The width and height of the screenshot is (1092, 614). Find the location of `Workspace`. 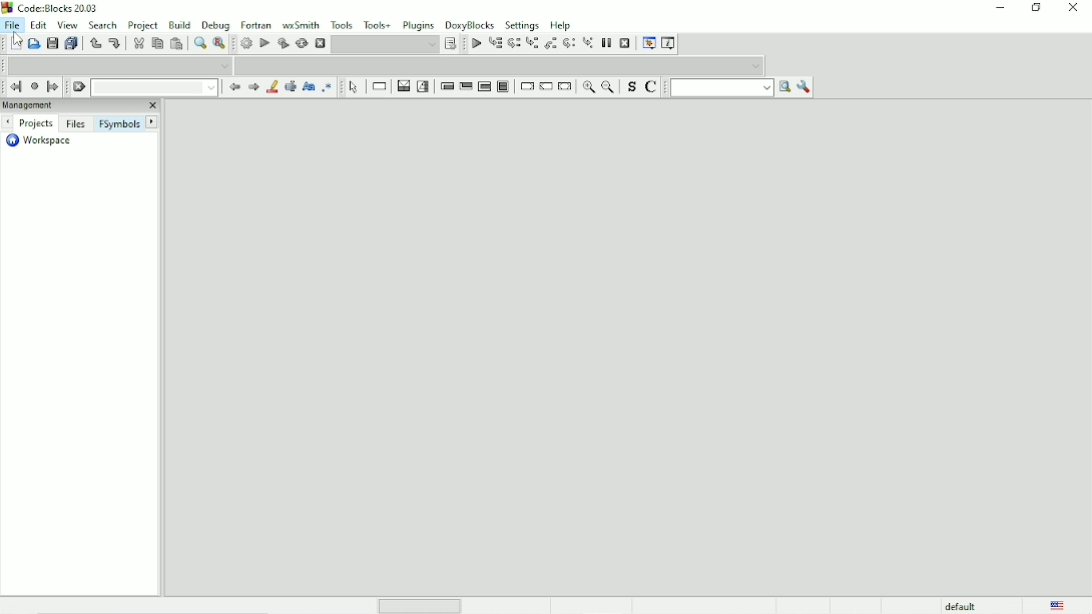

Workspace is located at coordinates (44, 141).